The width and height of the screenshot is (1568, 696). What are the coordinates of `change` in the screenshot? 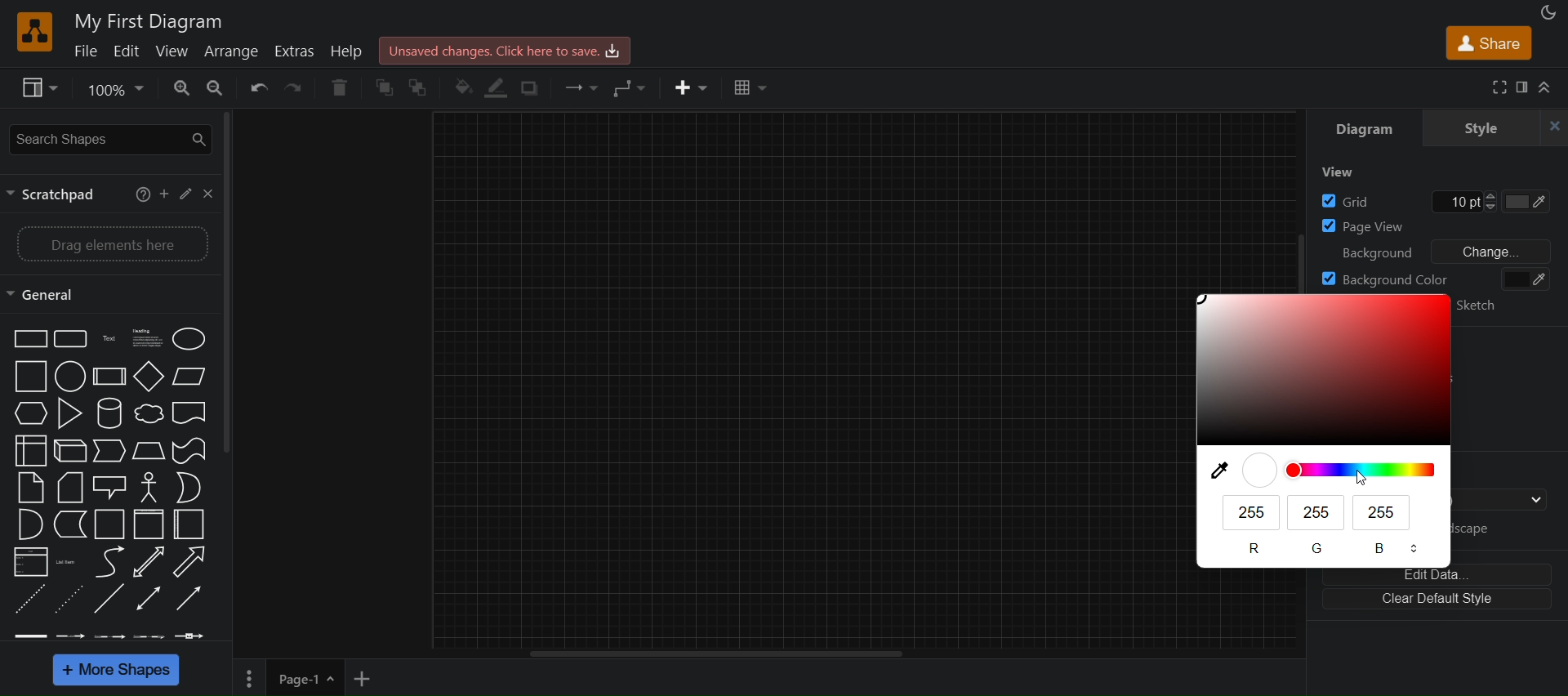 It's located at (1489, 250).